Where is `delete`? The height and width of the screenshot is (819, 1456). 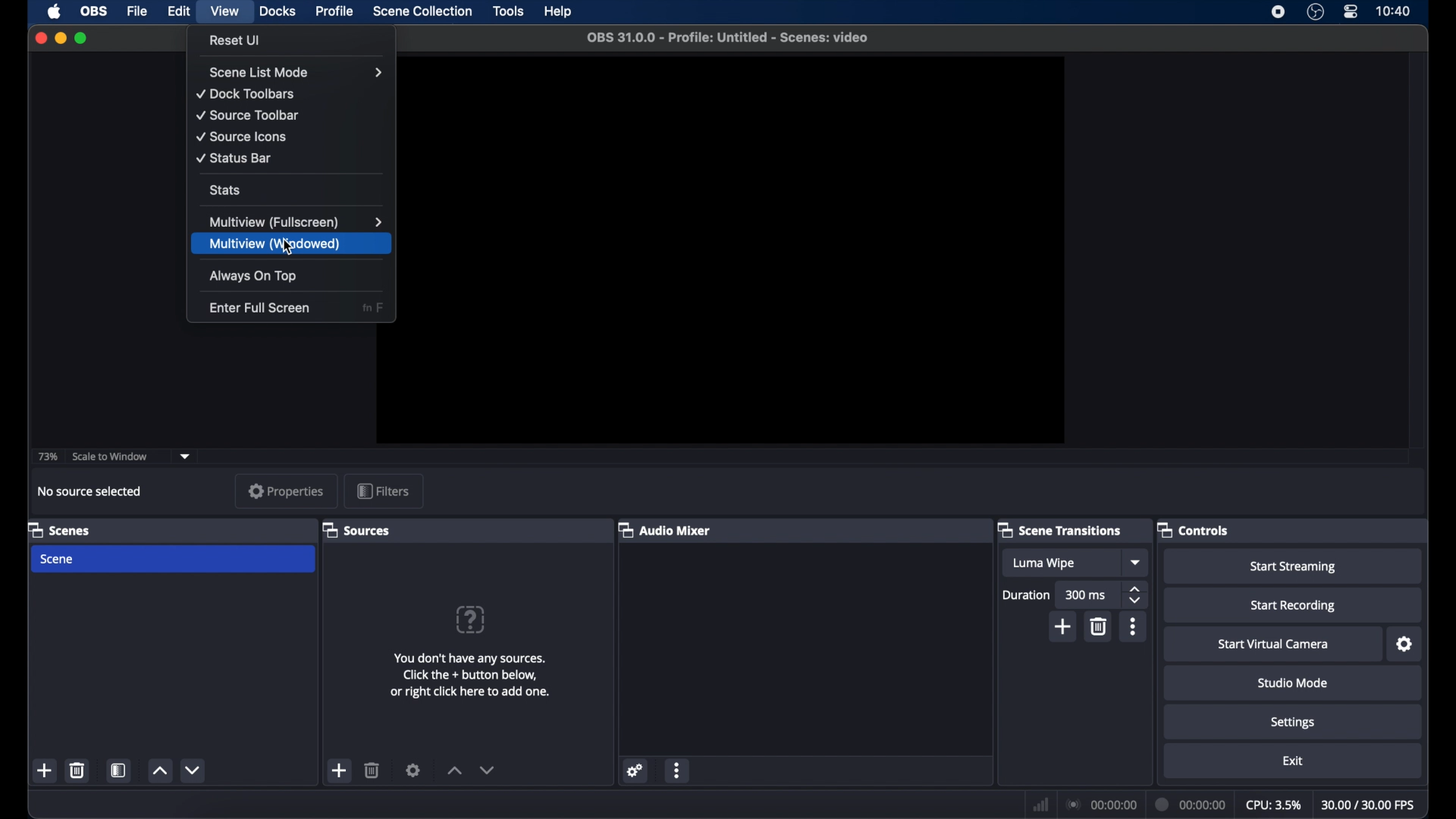 delete is located at coordinates (1100, 626).